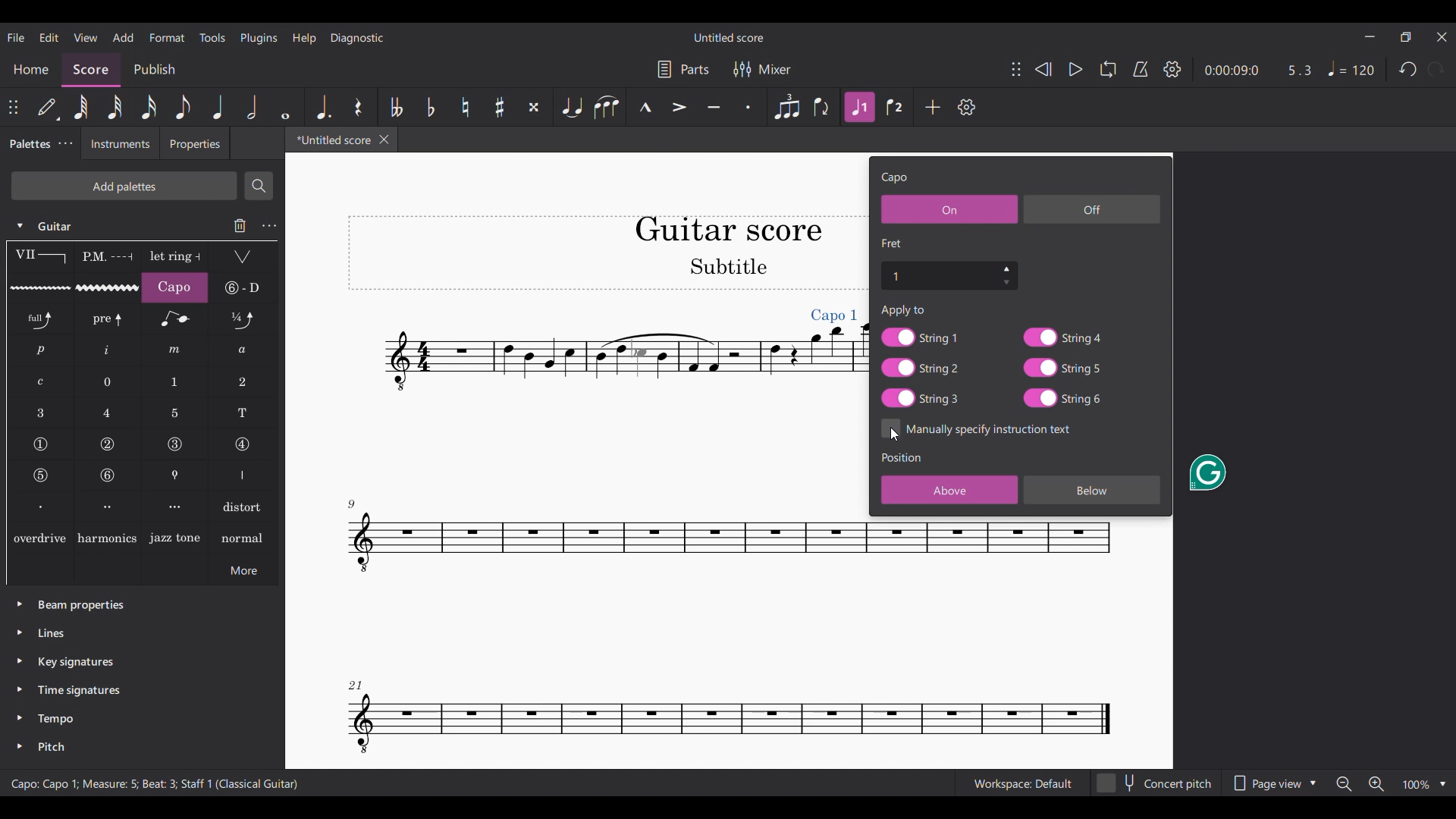  What do you see at coordinates (243, 570) in the screenshot?
I see `More` at bounding box center [243, 570].